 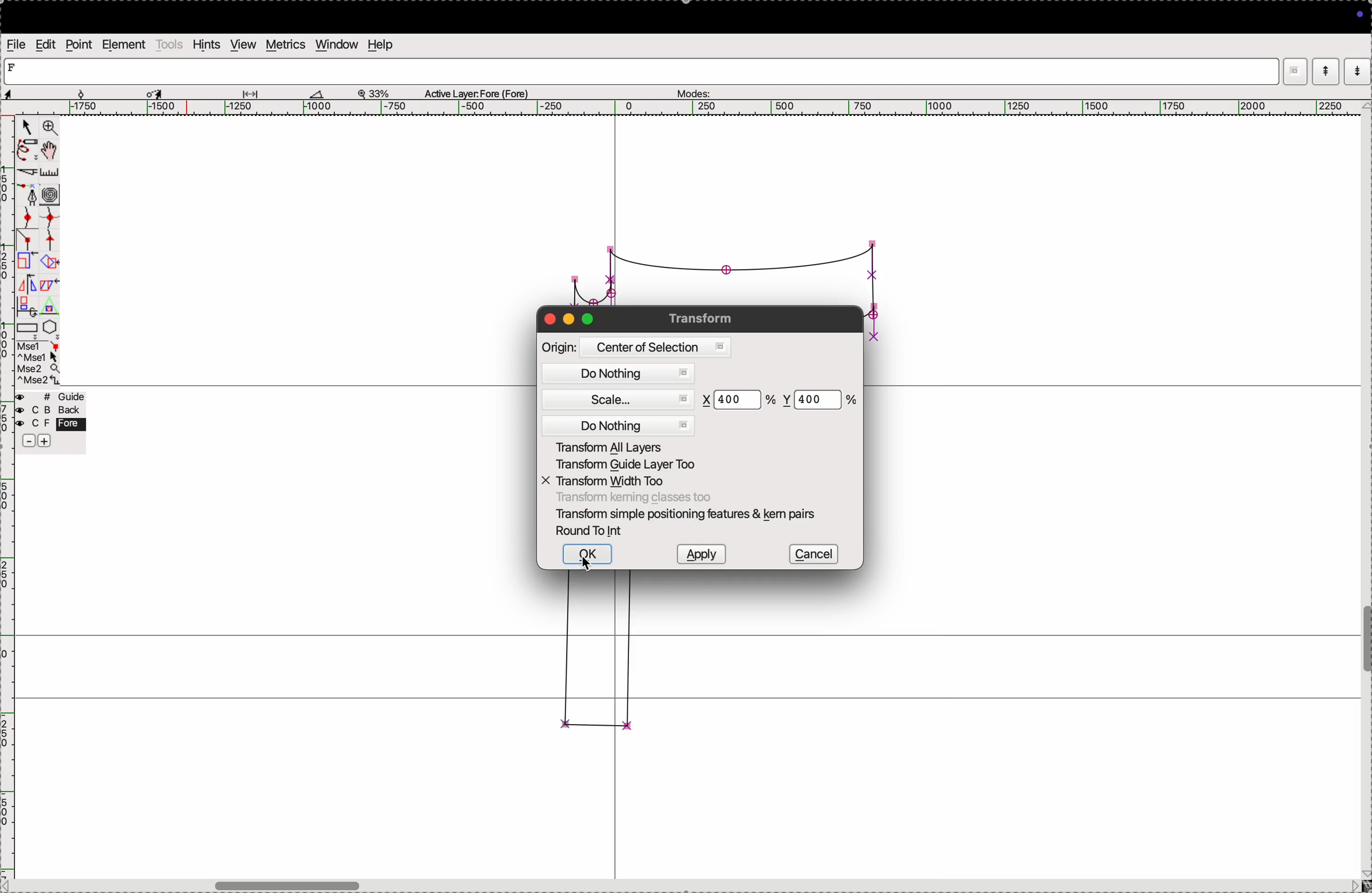 I want to click on round to int, so click(x=593, y=532).